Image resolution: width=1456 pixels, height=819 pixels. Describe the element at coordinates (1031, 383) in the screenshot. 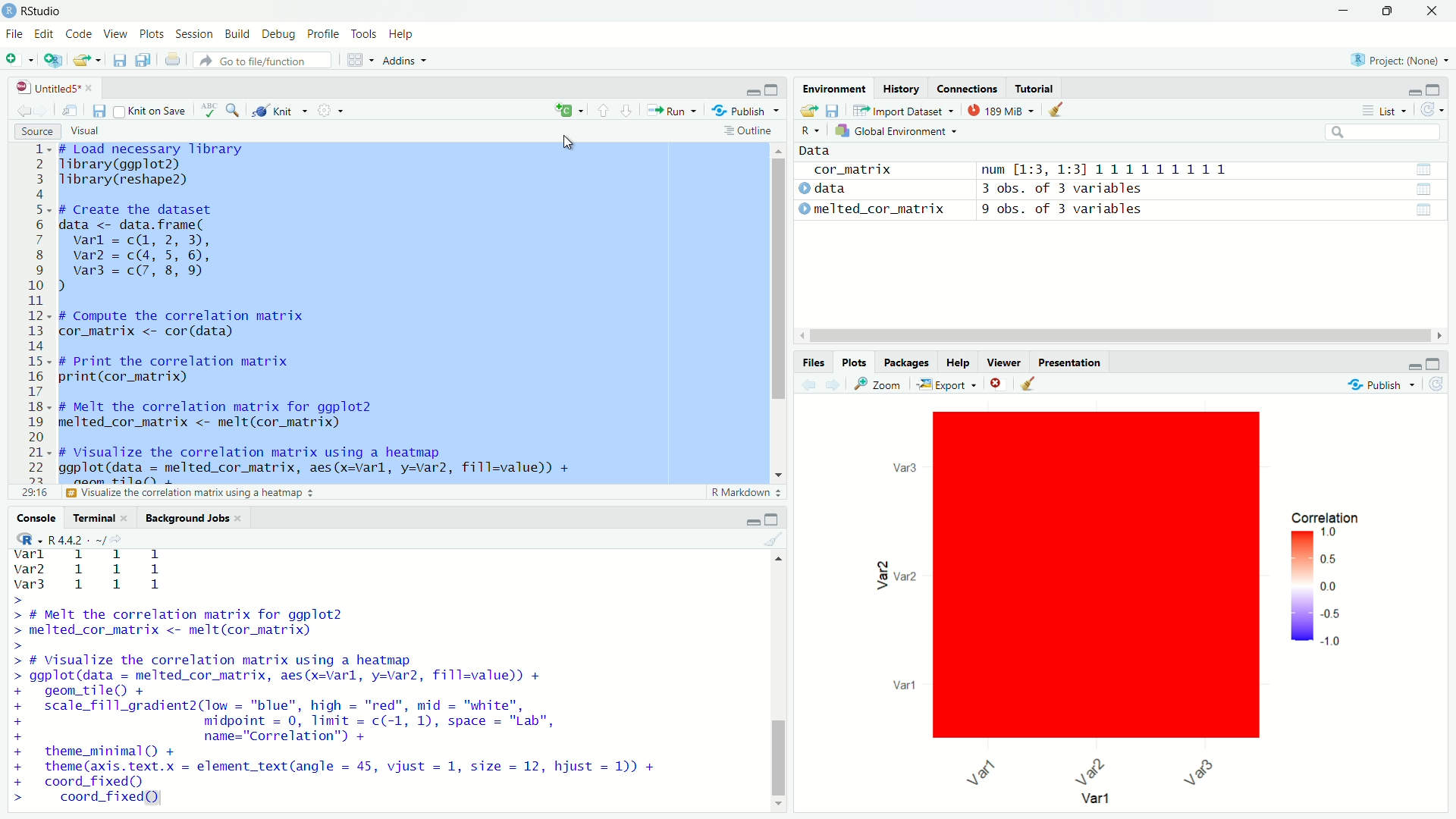

I see `clear plots` at that location.